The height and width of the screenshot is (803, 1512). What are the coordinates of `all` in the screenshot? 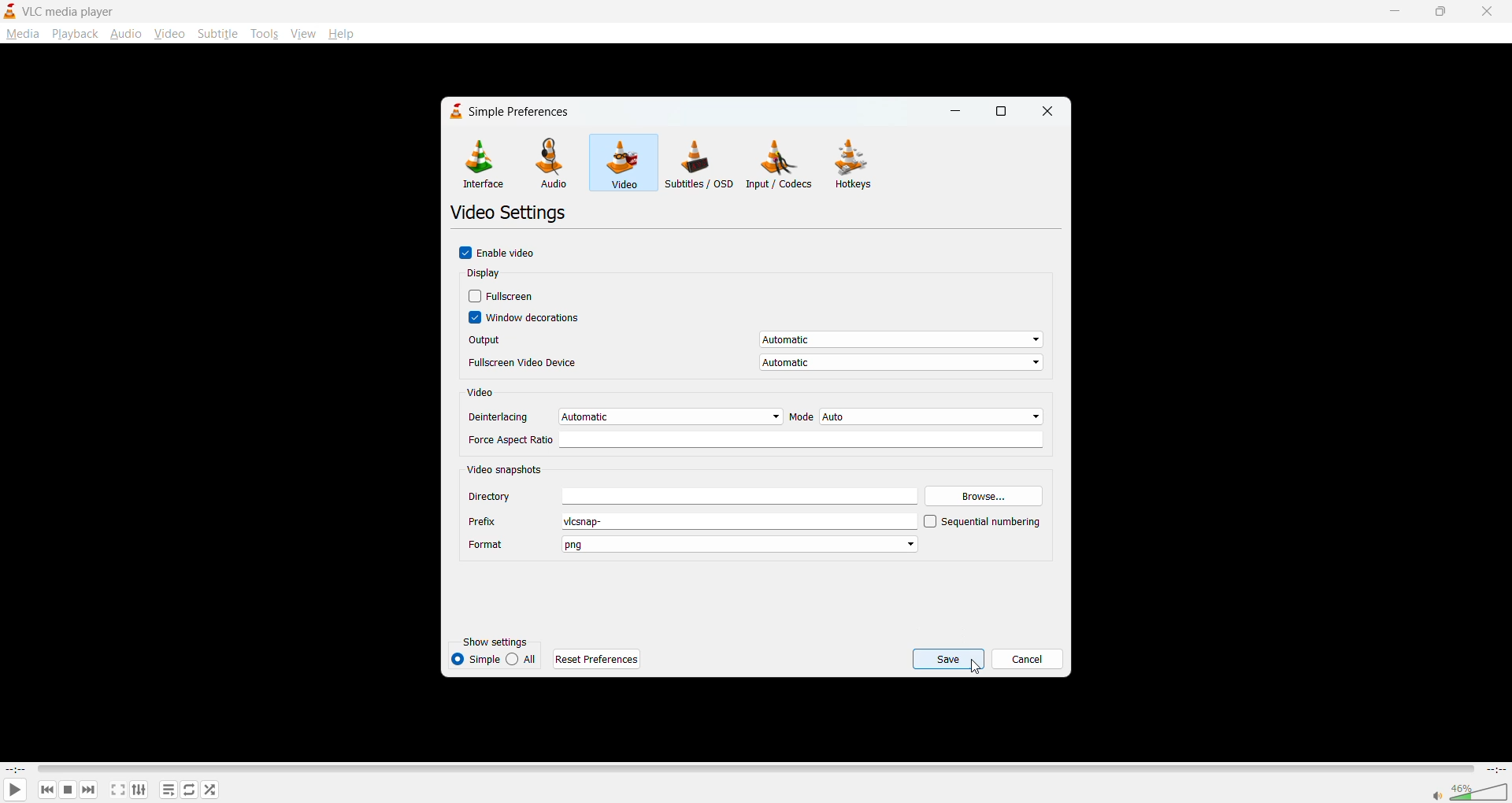 It's located at (524, 657).